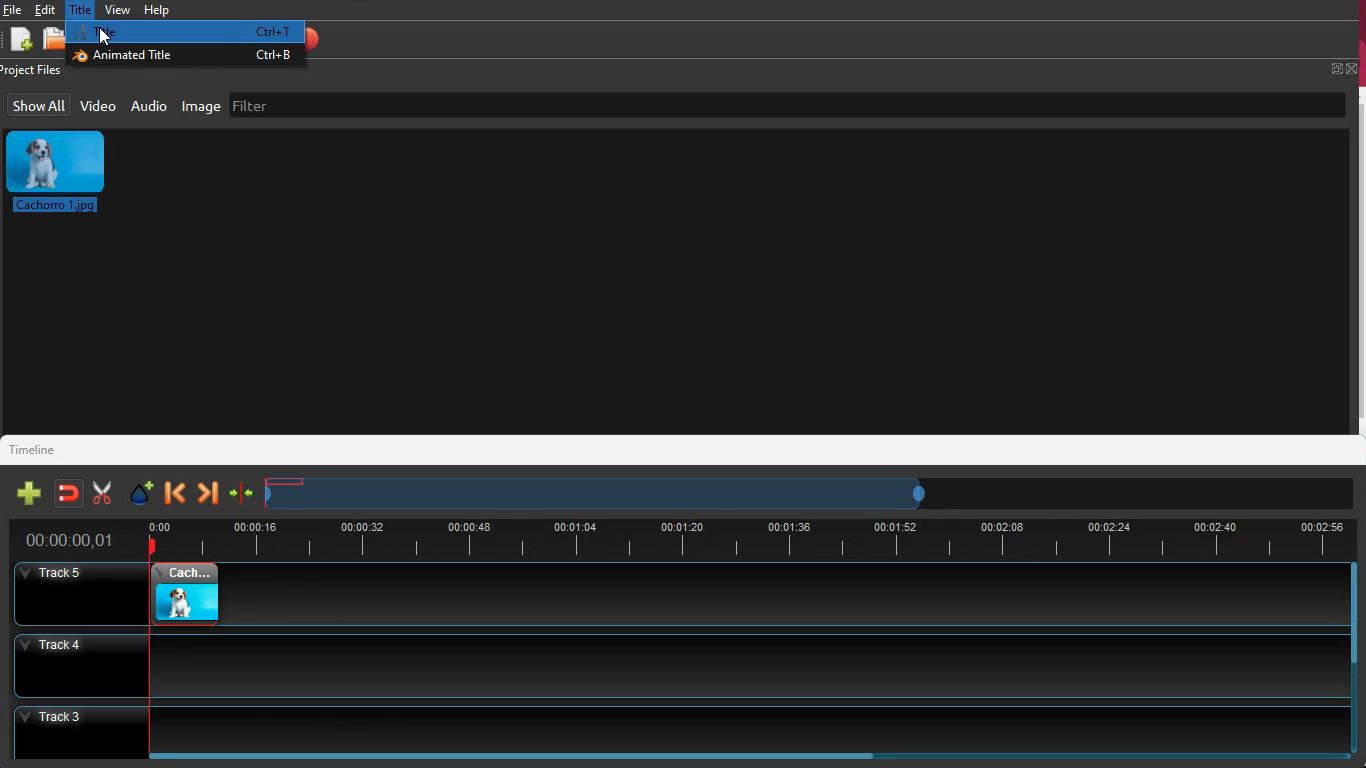  Describe the element at coordinates (185, 33) in the screenshot. I see `title` at that location.